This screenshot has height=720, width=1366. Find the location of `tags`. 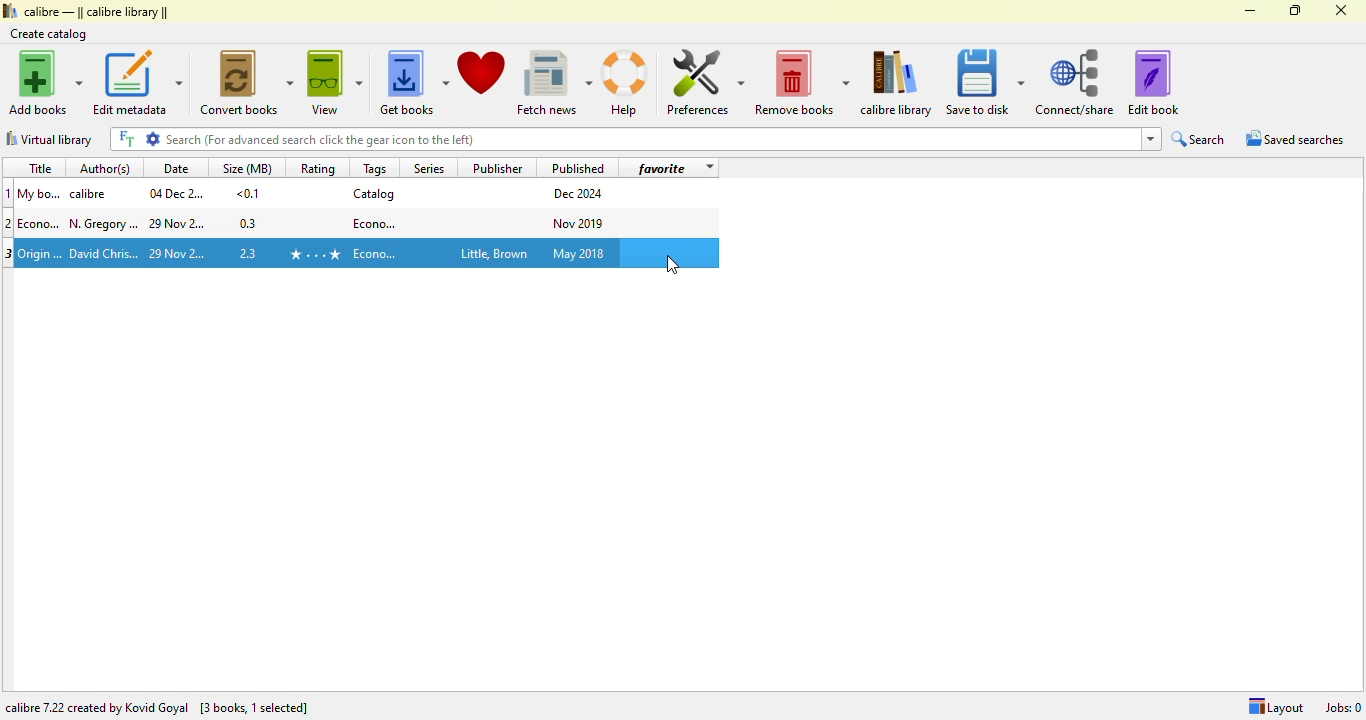

tags is located at coordinates (375, 168).